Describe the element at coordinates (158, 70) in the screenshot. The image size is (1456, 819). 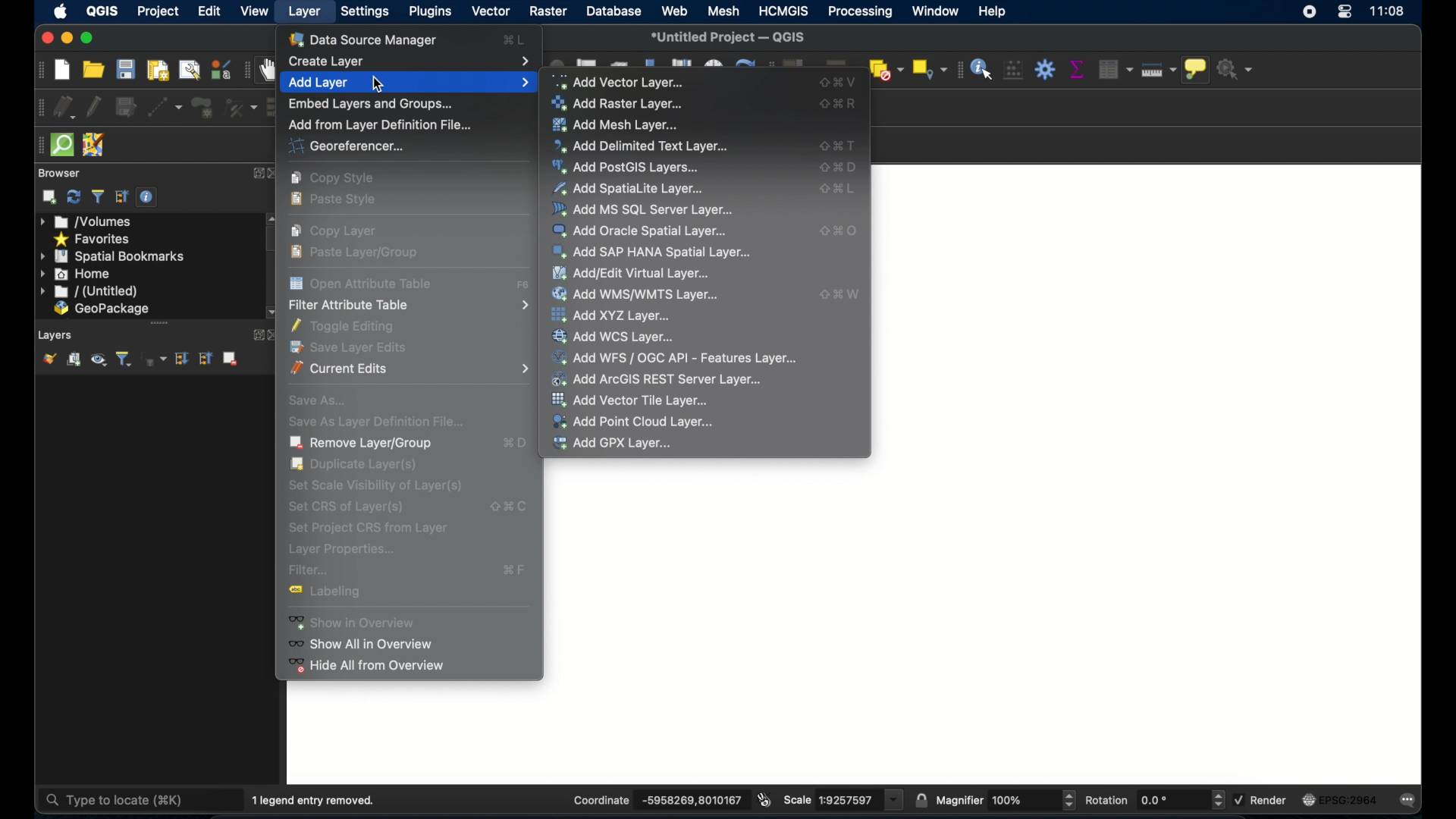
I see `new print layout` at that location.